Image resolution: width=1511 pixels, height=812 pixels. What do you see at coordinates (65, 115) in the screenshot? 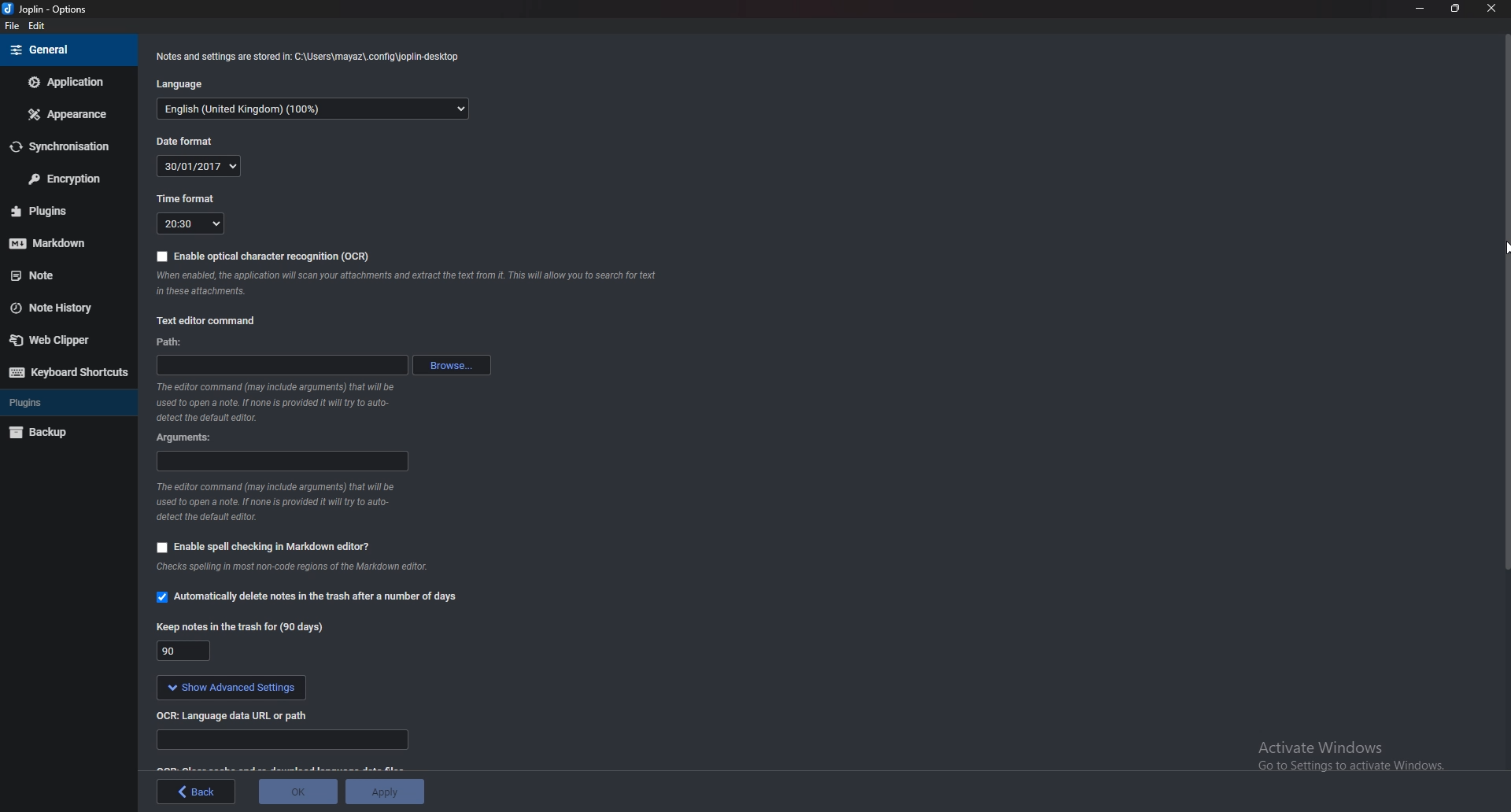
I see `Appearance` at bounding box center [65, 115].